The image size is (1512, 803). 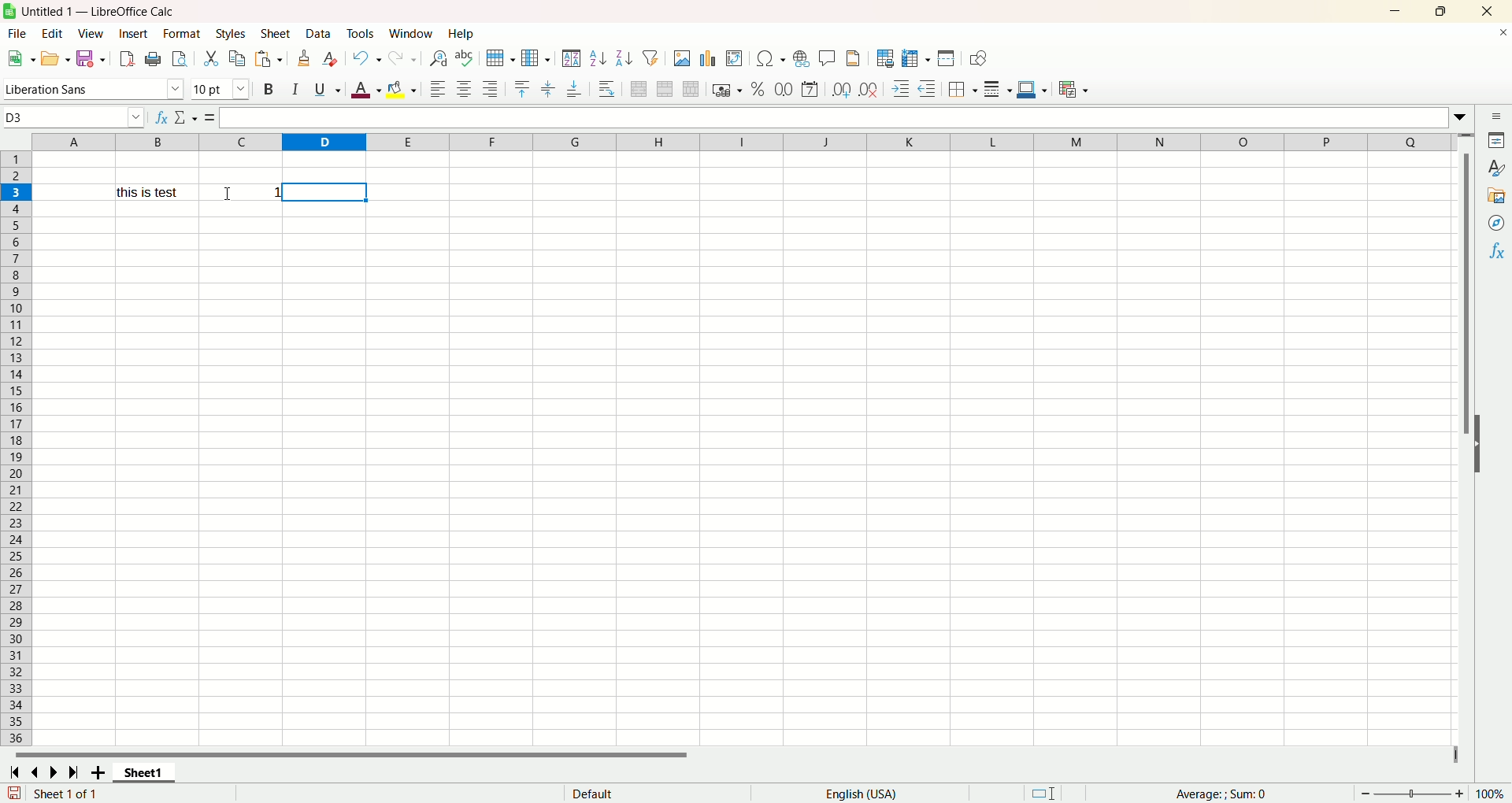 I want to click on document name, so click(x=164, y=12).